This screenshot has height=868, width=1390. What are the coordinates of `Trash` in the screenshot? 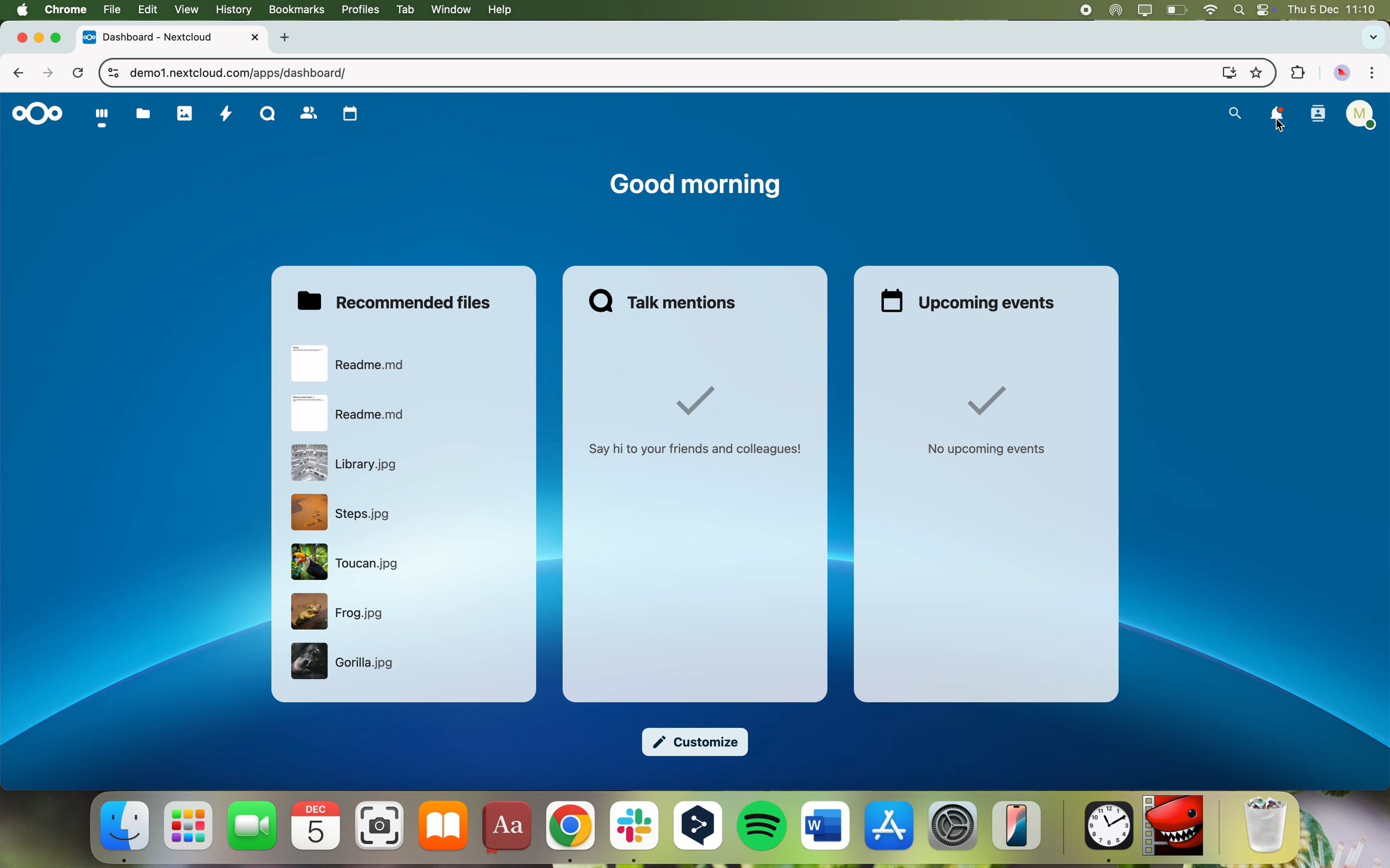 It's located at (1267, 827).